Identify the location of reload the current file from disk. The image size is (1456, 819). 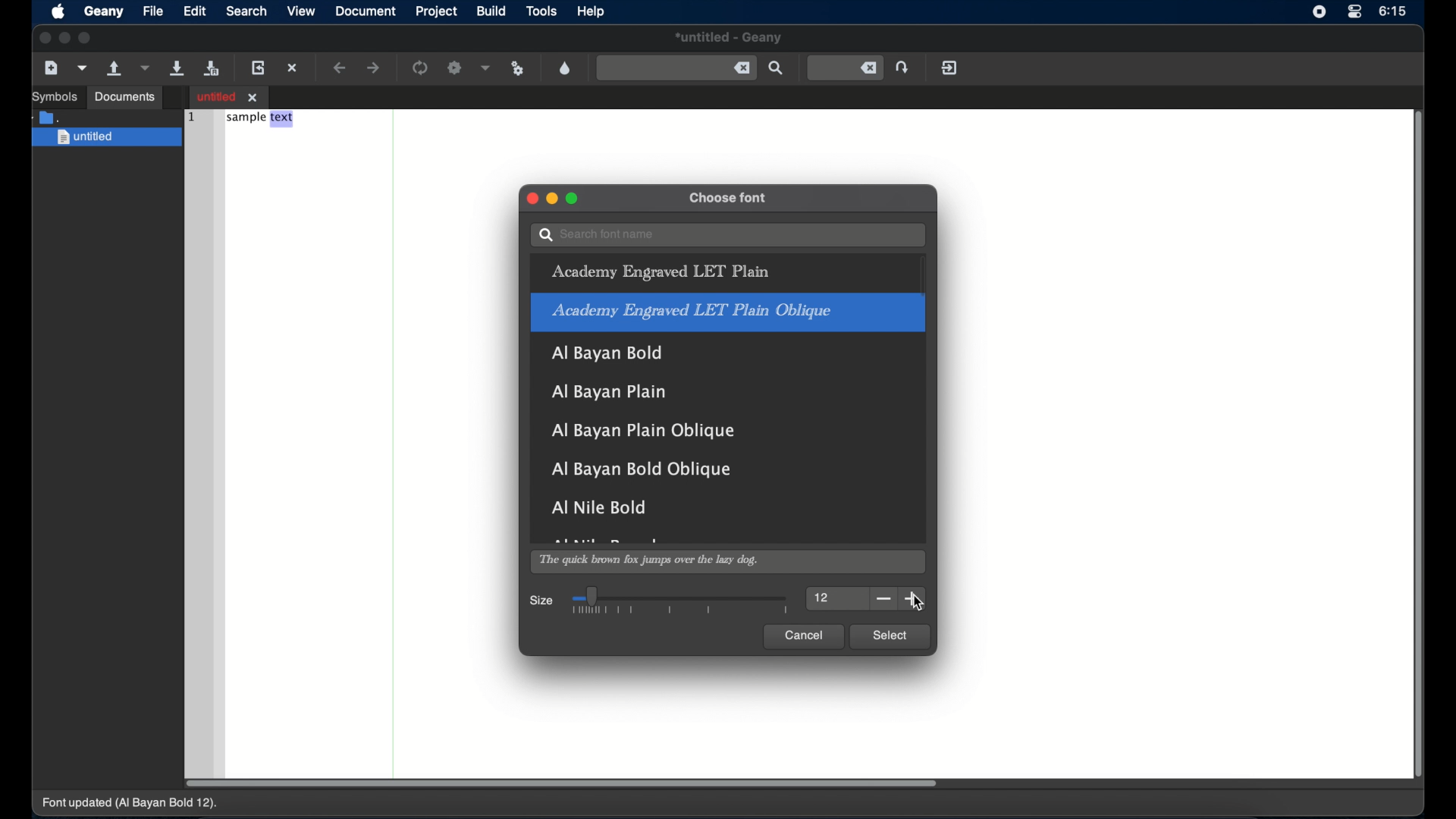
(260, 67).